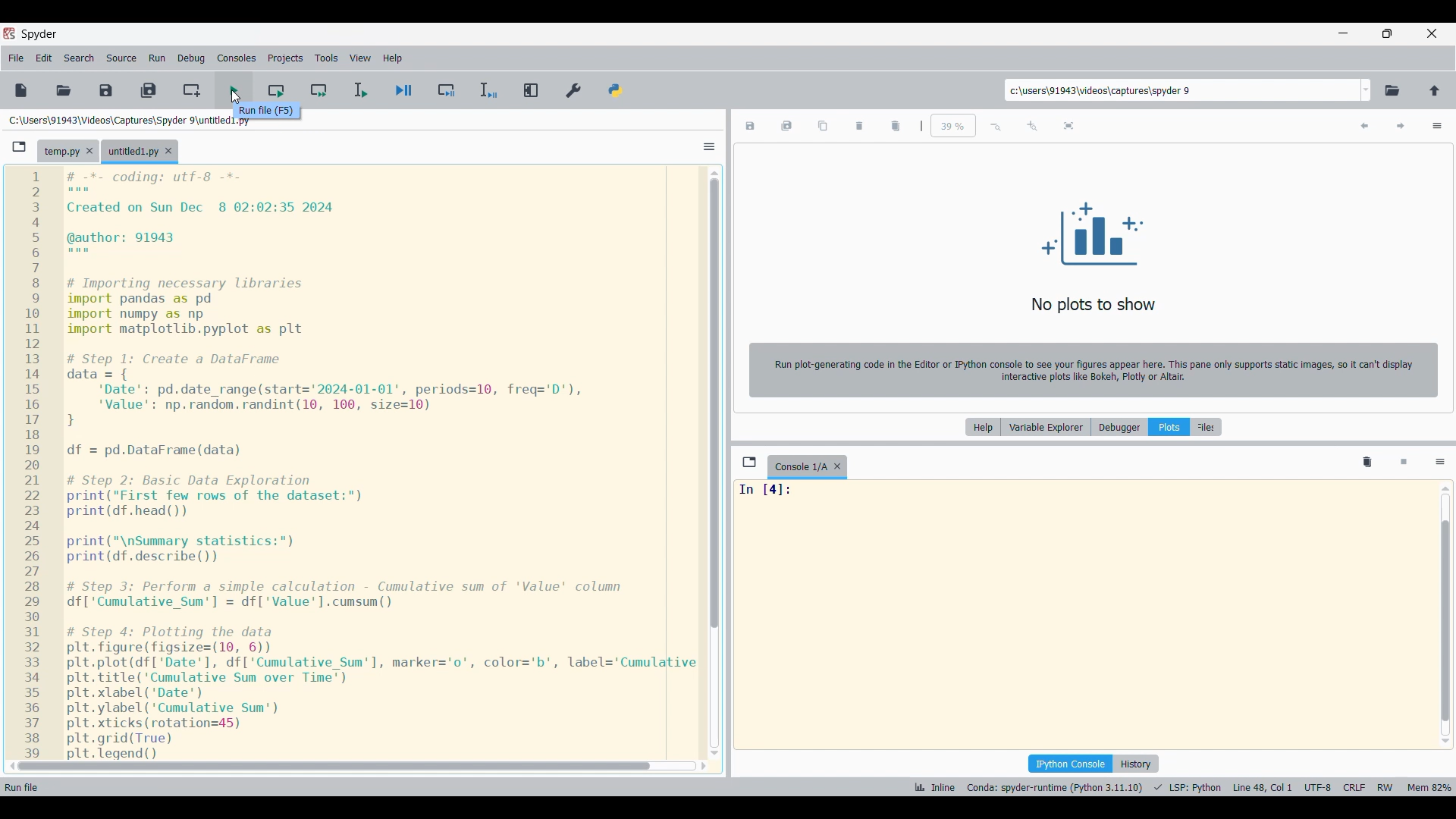  Describe the element at coordinates (1388, 786) in the screenshot. I see `rw` at that location.